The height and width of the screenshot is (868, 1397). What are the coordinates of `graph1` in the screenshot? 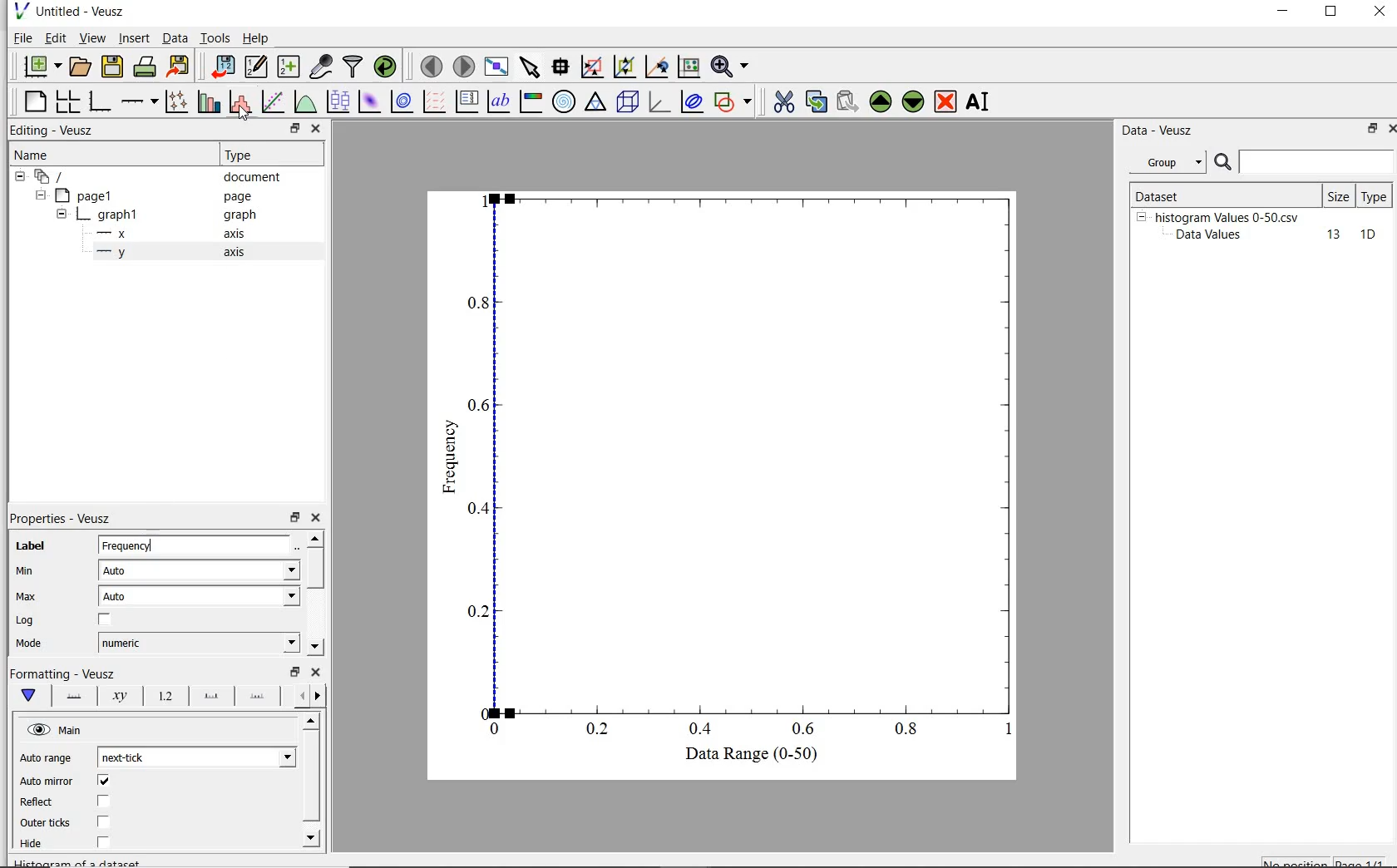 It's located at (111, 217).